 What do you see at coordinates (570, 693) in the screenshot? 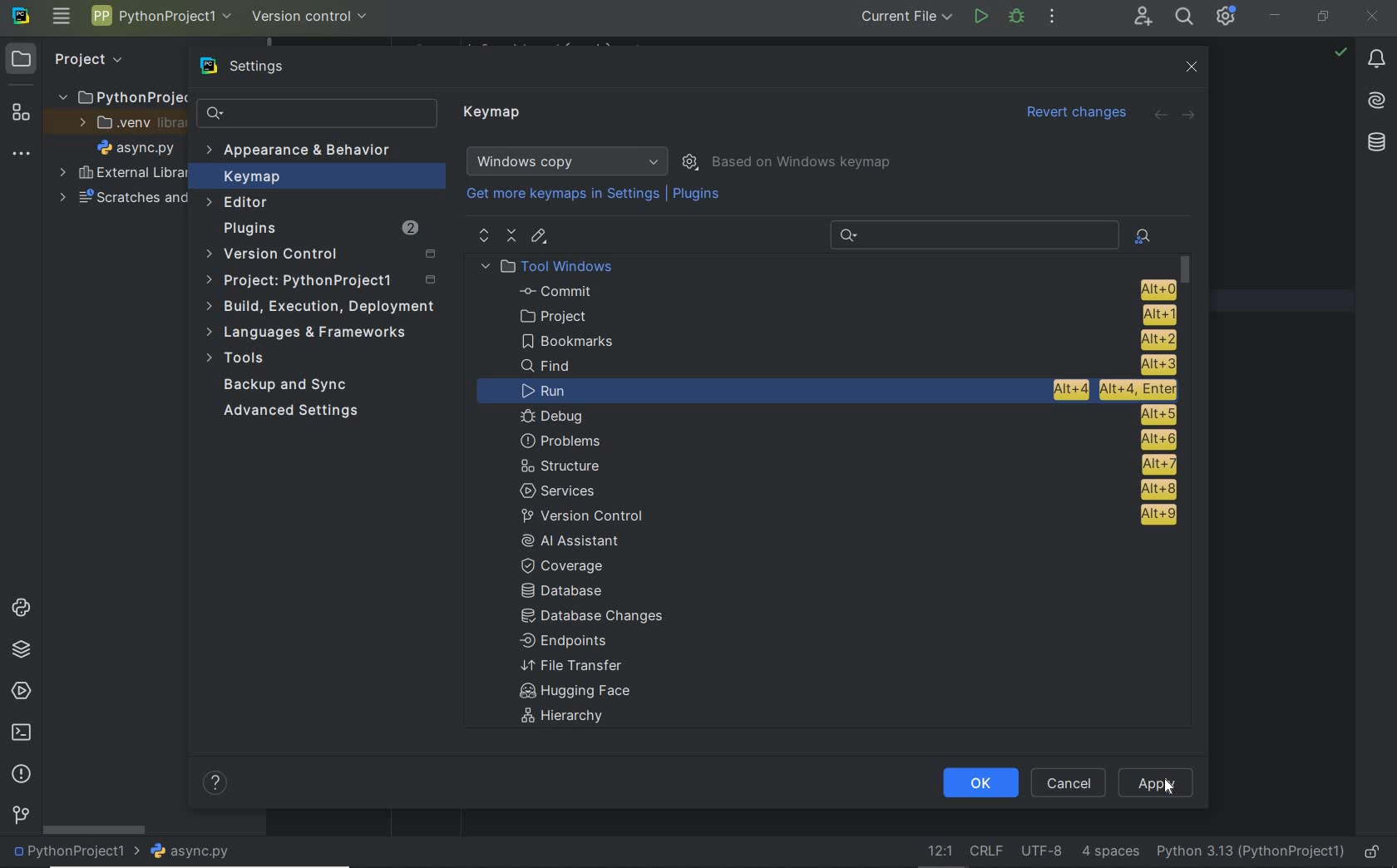
I see `Hugging face` at bounding box center [570, 693].